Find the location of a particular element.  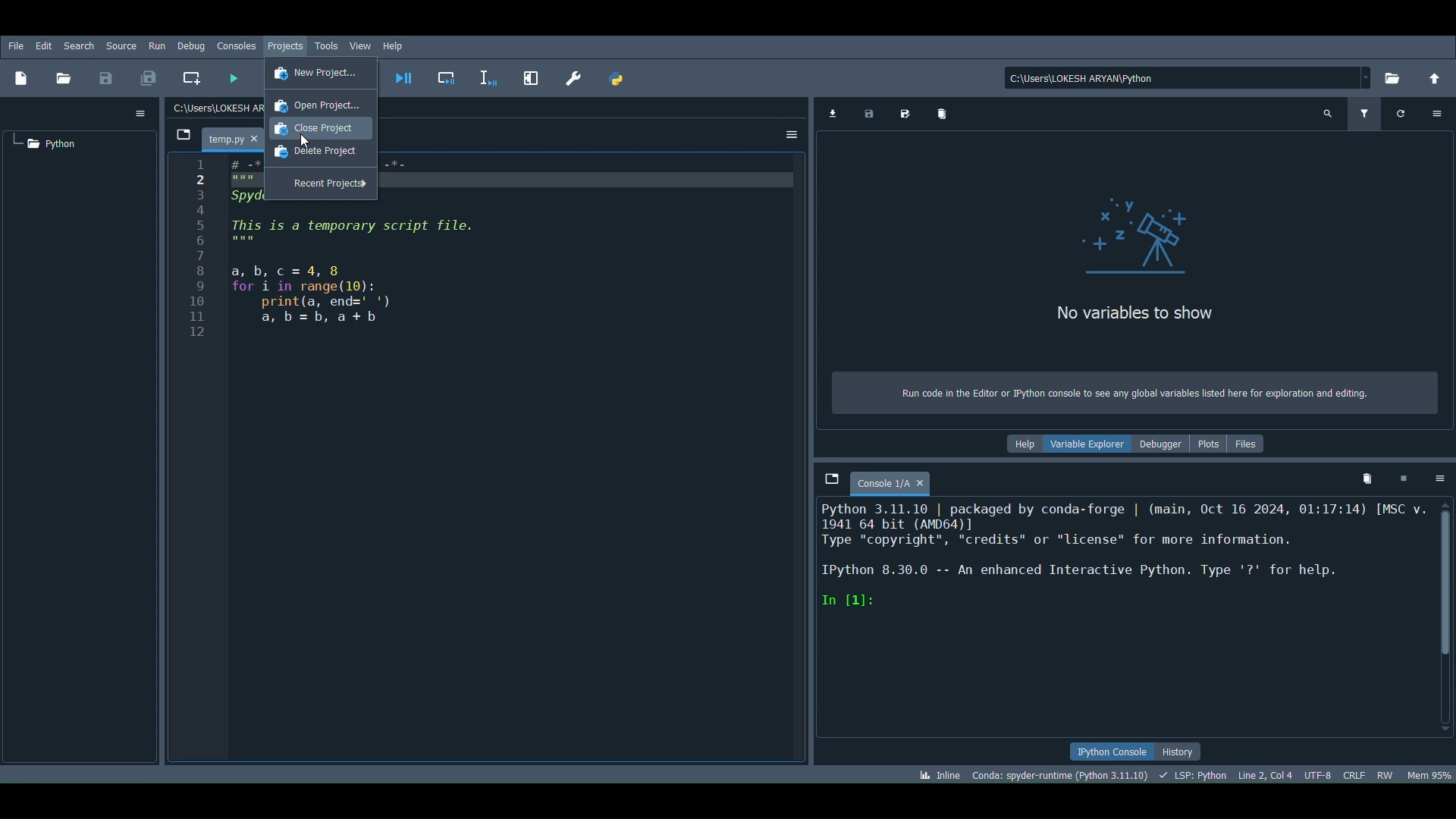

PYTHONPATH manager is located at coordinates (619, 80).